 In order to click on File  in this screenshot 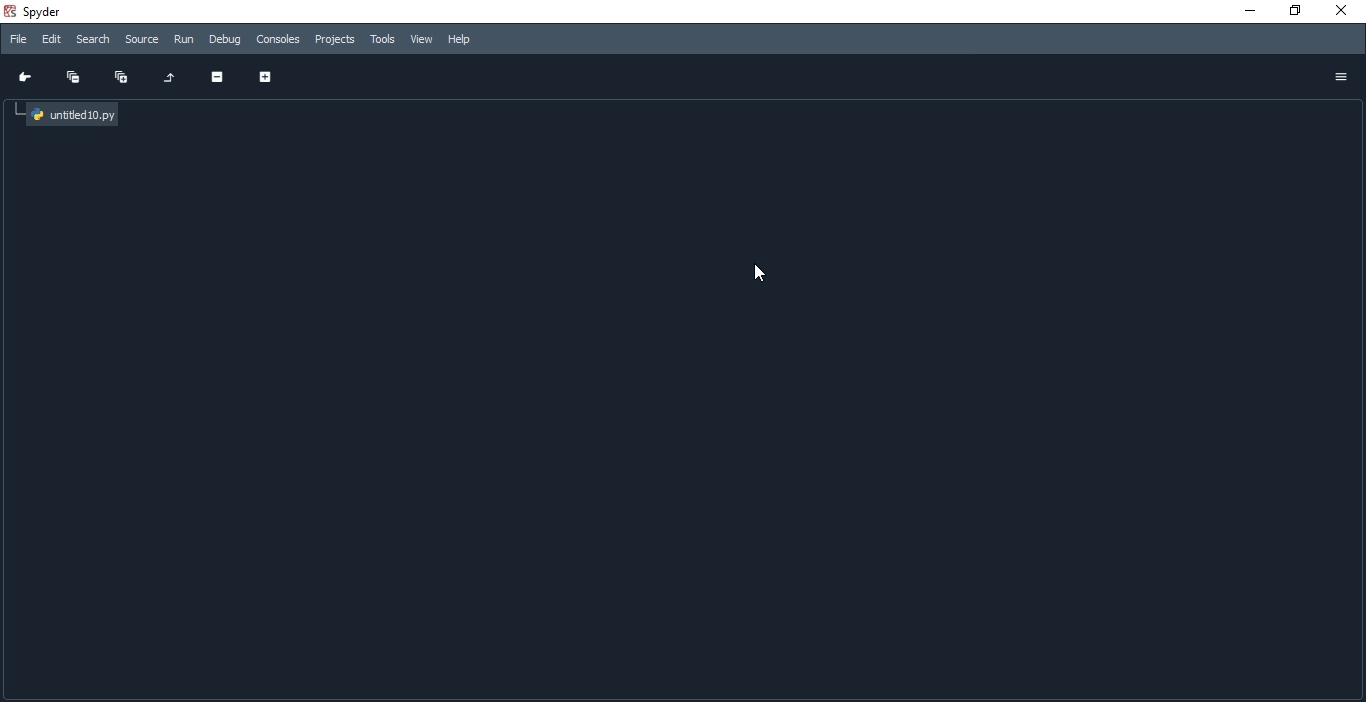, I will do `click(17, 39)`.